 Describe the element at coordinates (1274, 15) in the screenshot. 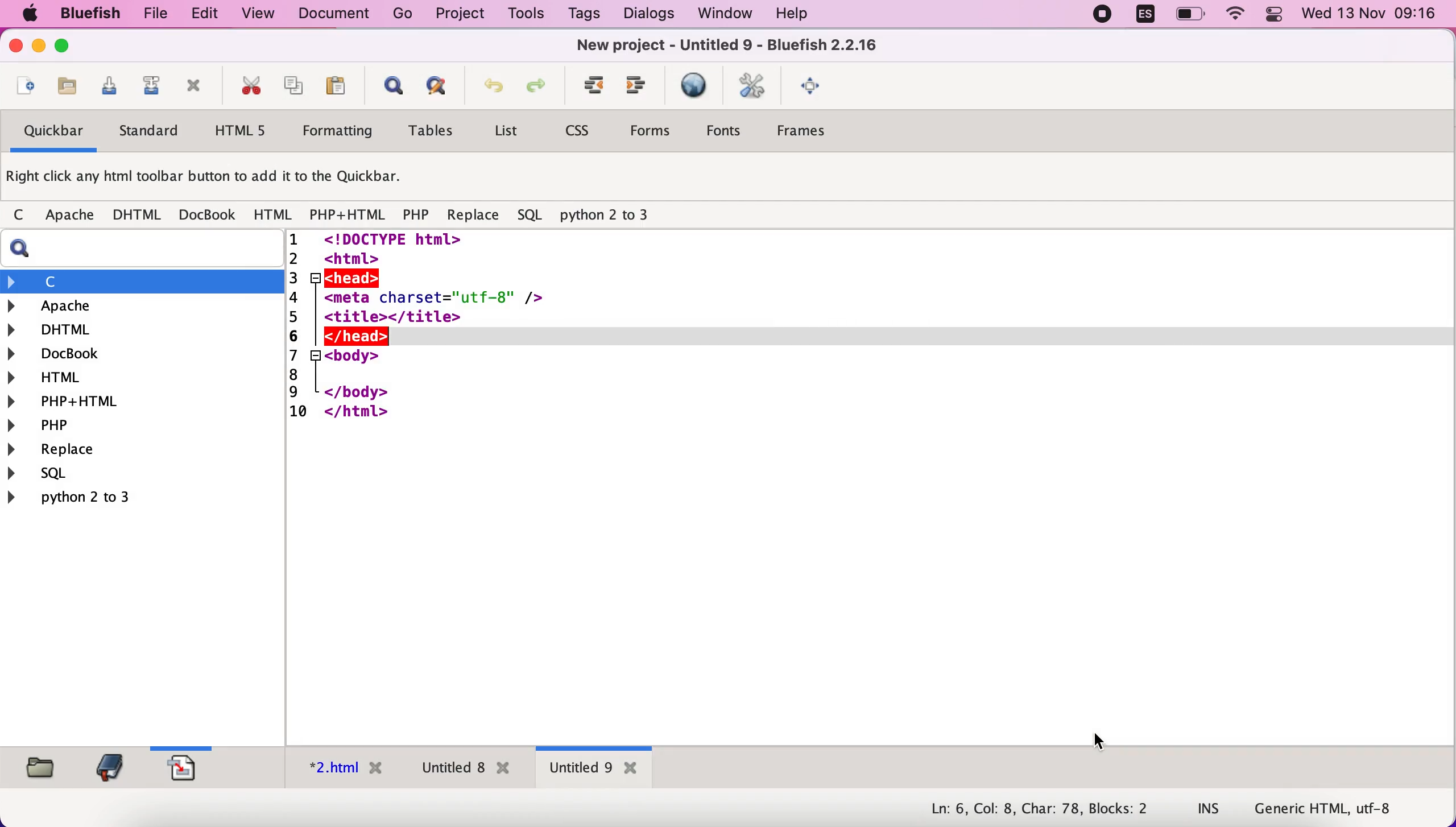

I see `panel control` at that location.